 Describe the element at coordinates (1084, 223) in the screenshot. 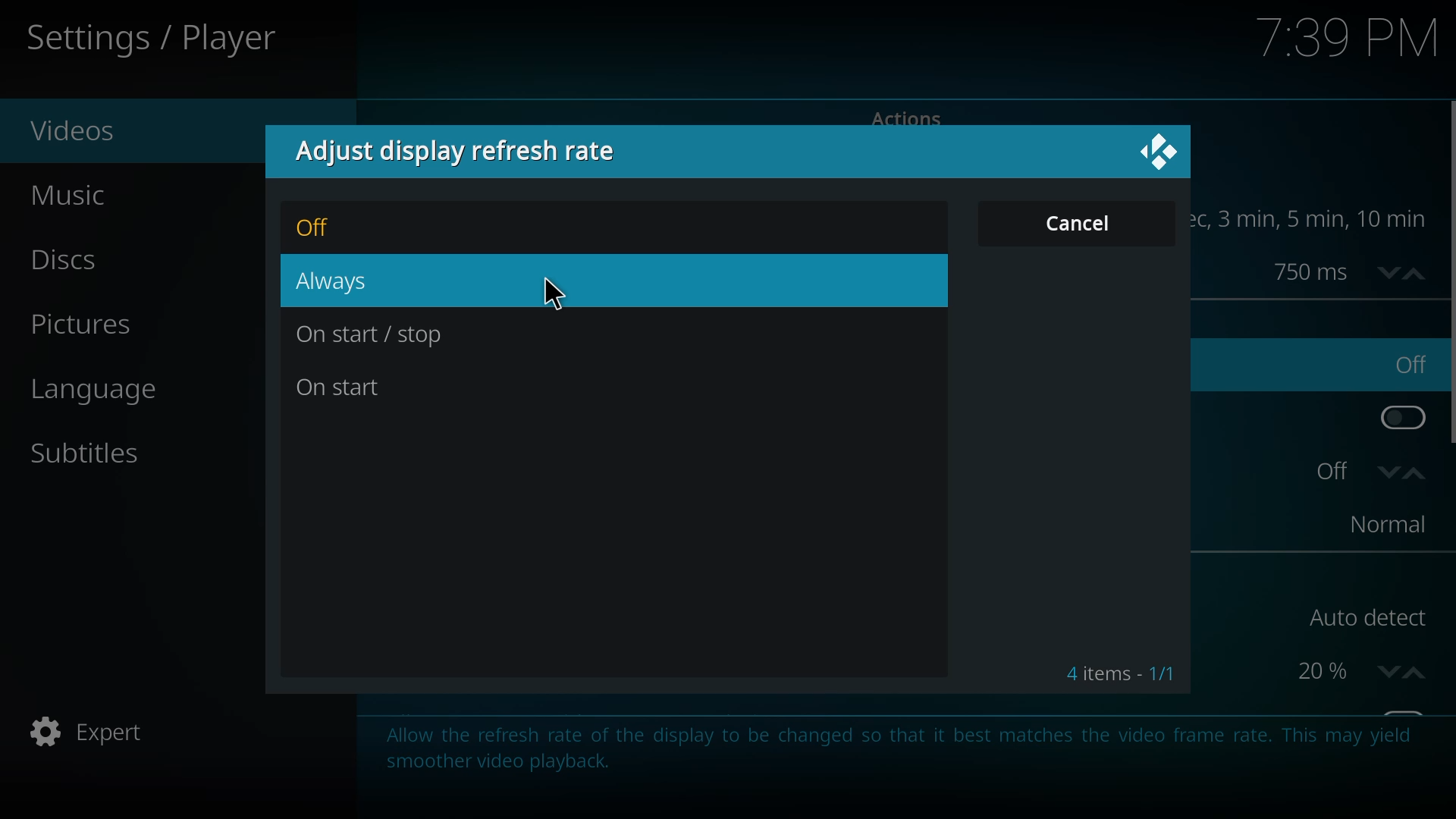

I see `cancel` at that location.